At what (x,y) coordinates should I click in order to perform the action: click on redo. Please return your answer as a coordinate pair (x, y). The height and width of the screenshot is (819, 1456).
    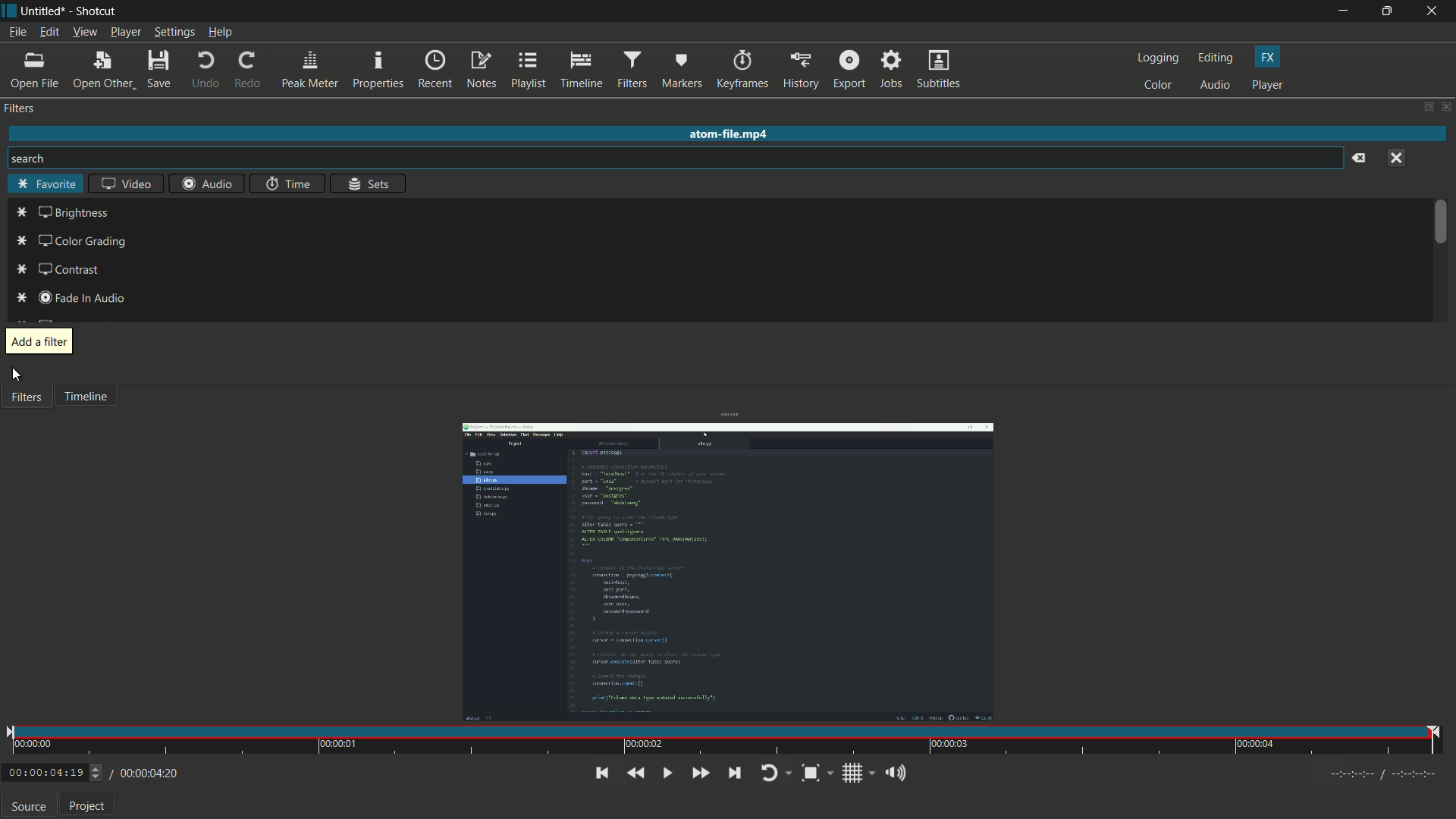
    Looking at the image, I should click on (248, 70).